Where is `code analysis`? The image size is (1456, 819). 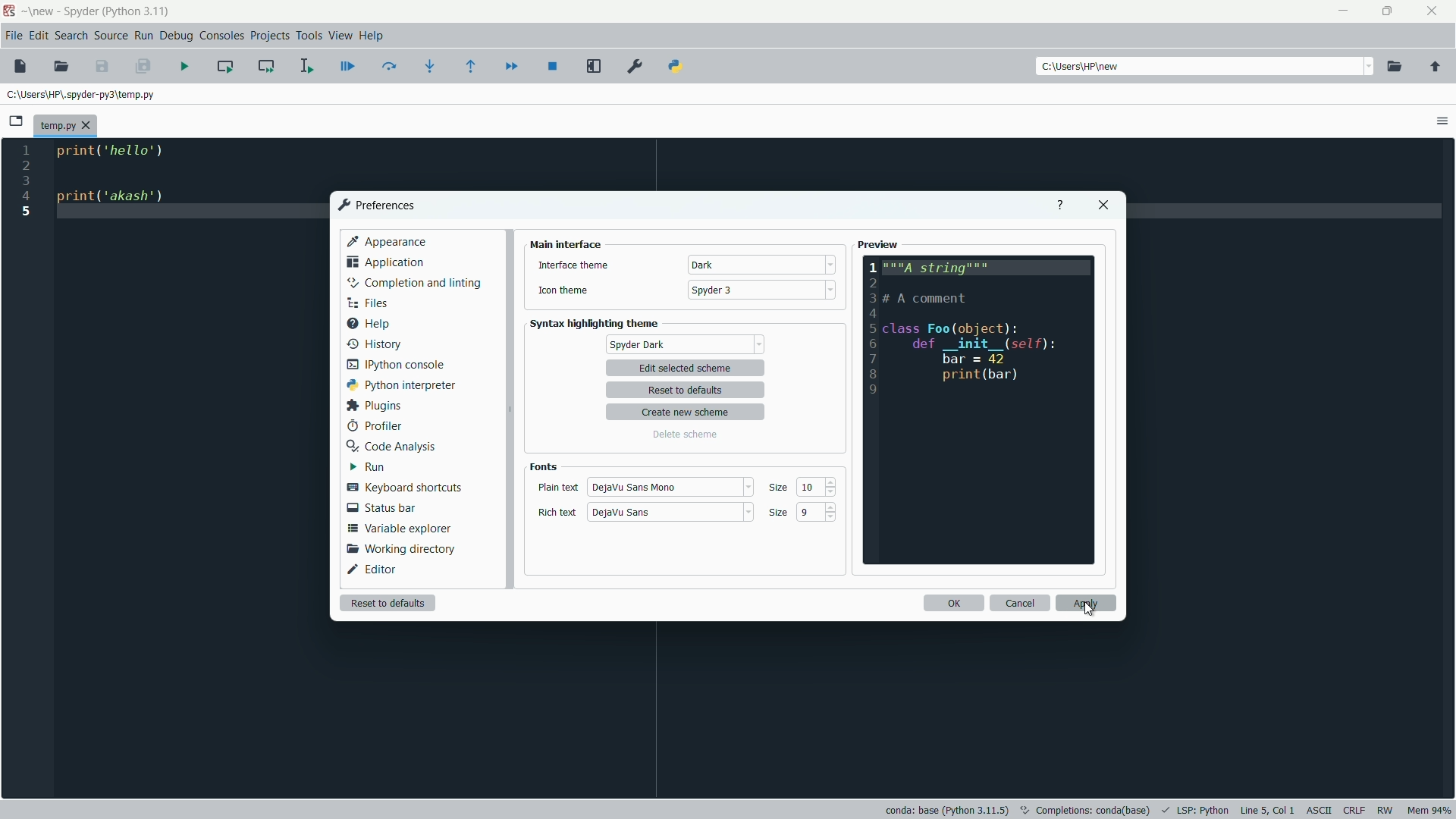 code analysis is located at coordinates (389, 446).